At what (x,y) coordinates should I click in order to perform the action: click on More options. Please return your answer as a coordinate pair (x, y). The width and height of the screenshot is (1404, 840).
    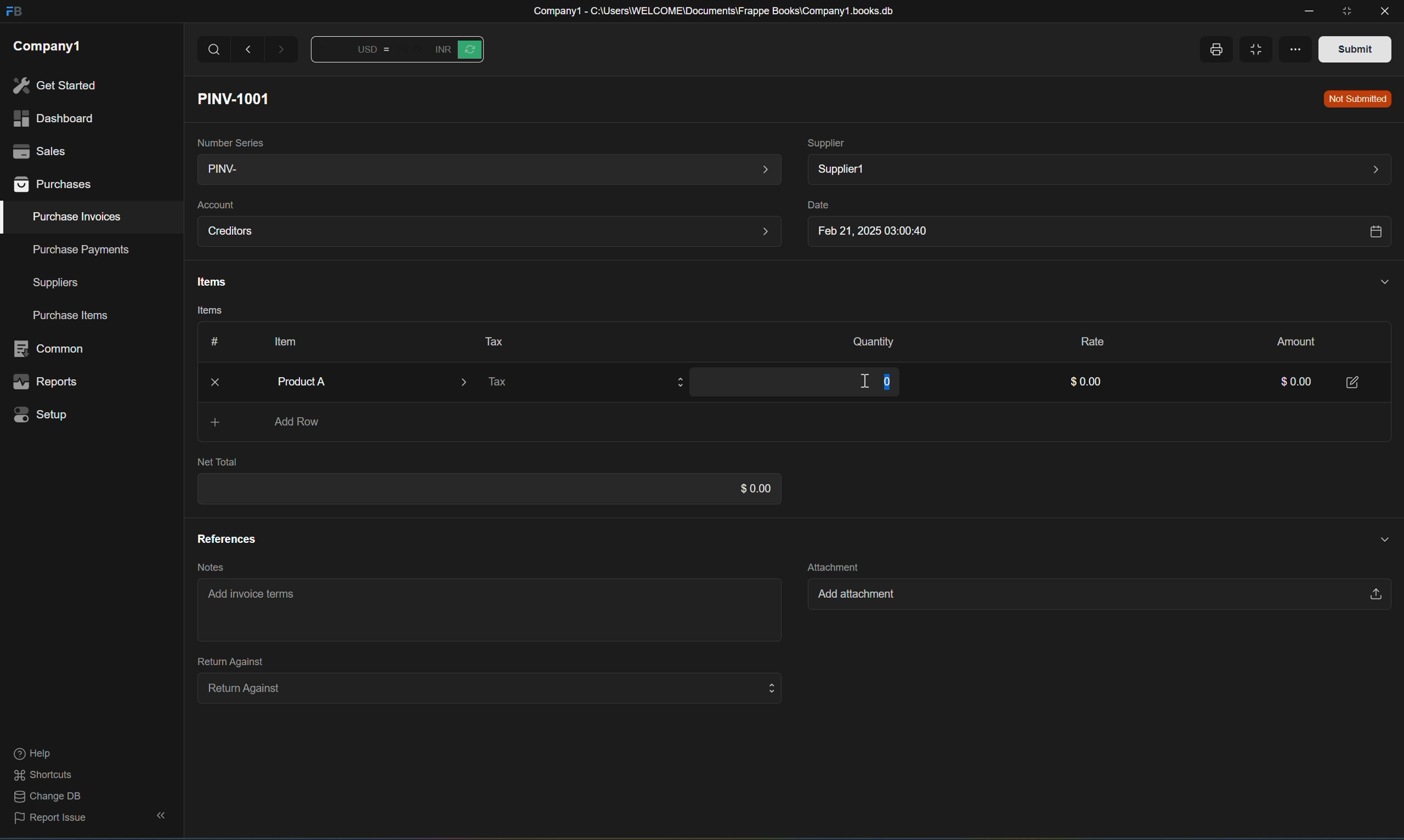
    Looking at the image, I should click on (1295, 49).